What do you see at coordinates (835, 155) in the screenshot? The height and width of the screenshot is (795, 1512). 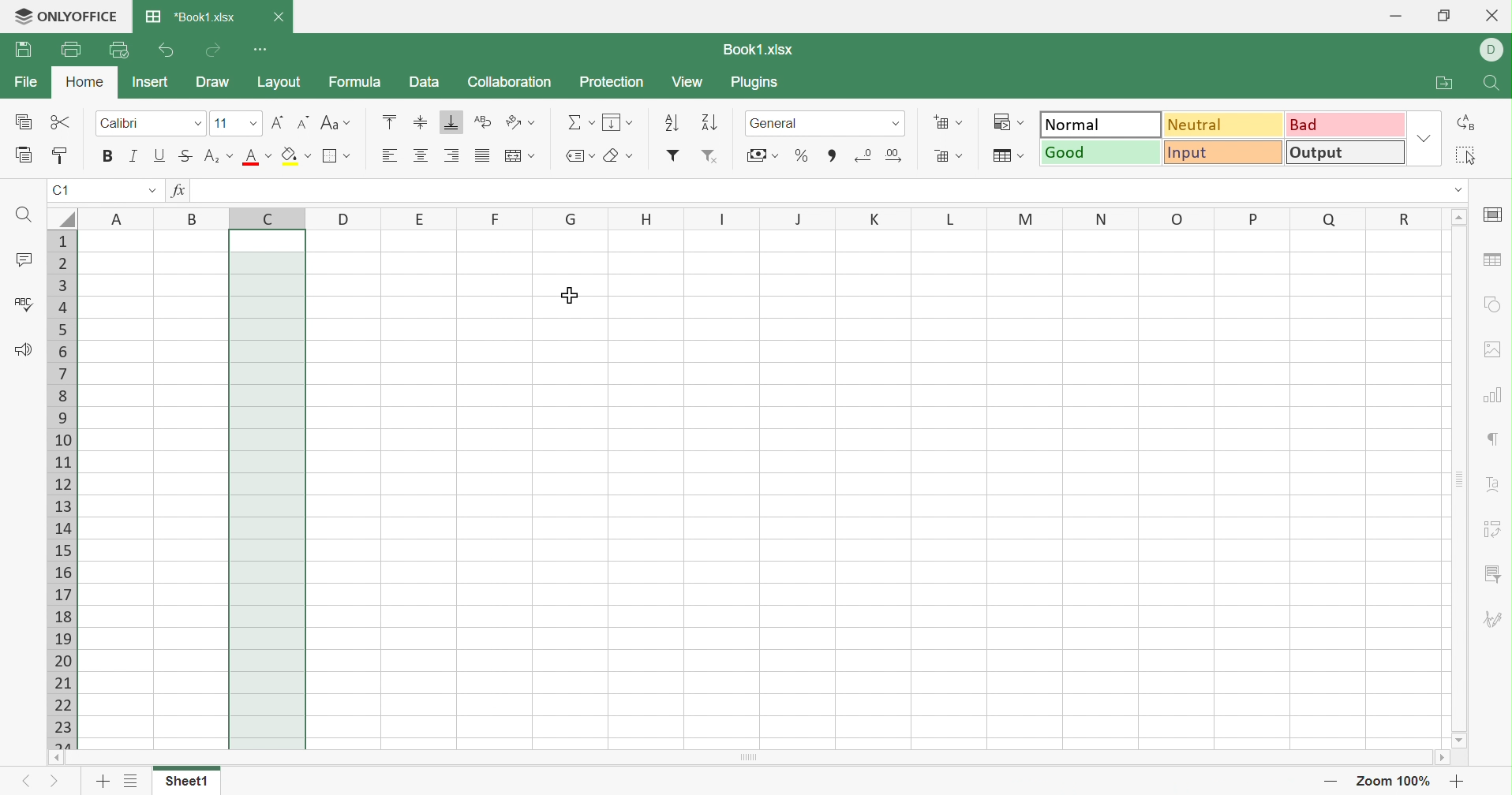 I see `Comma style` at bounding box center [835, 155].